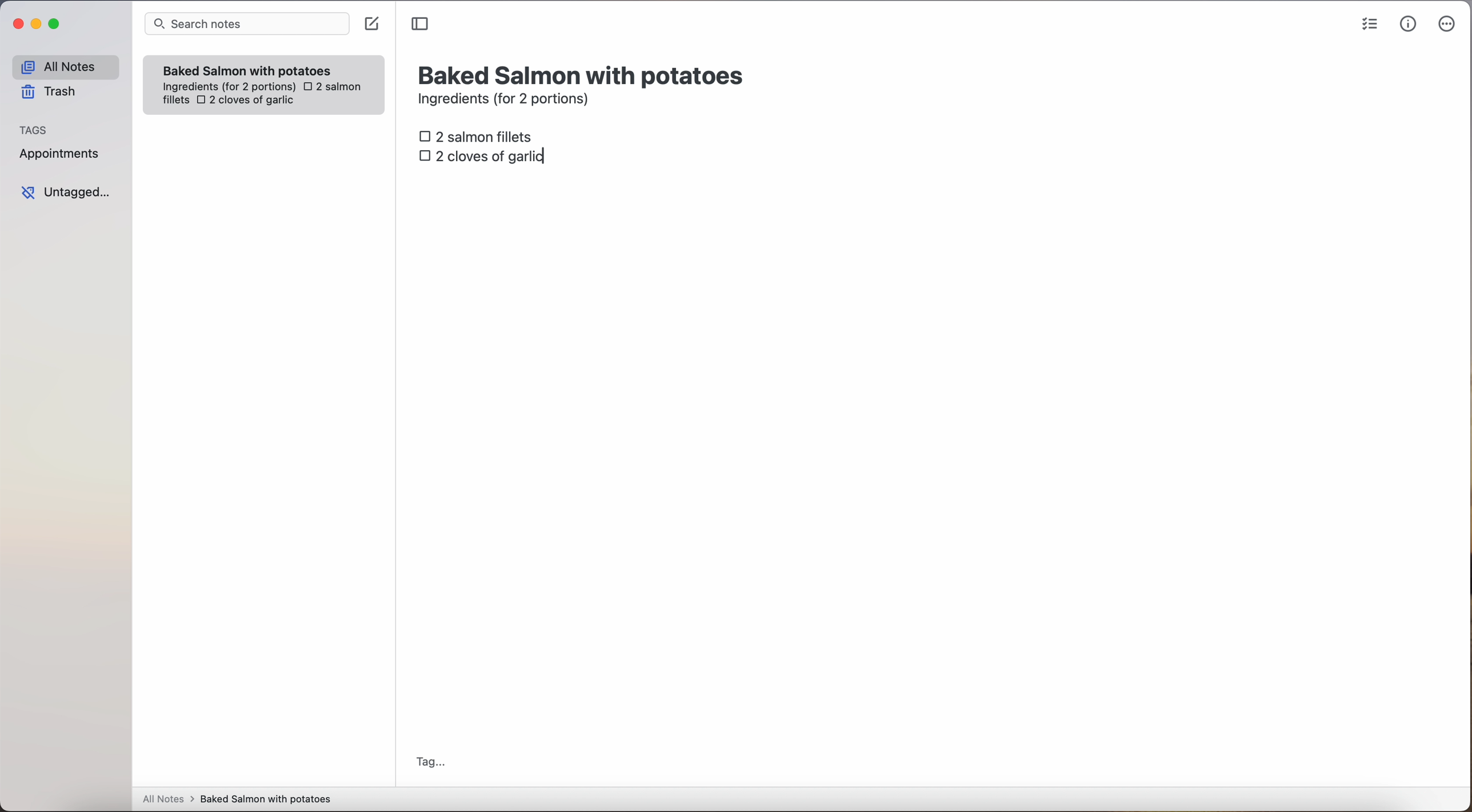 This screenshot has height=812, width=1472. I want to click on search bar, so click(246, 25).